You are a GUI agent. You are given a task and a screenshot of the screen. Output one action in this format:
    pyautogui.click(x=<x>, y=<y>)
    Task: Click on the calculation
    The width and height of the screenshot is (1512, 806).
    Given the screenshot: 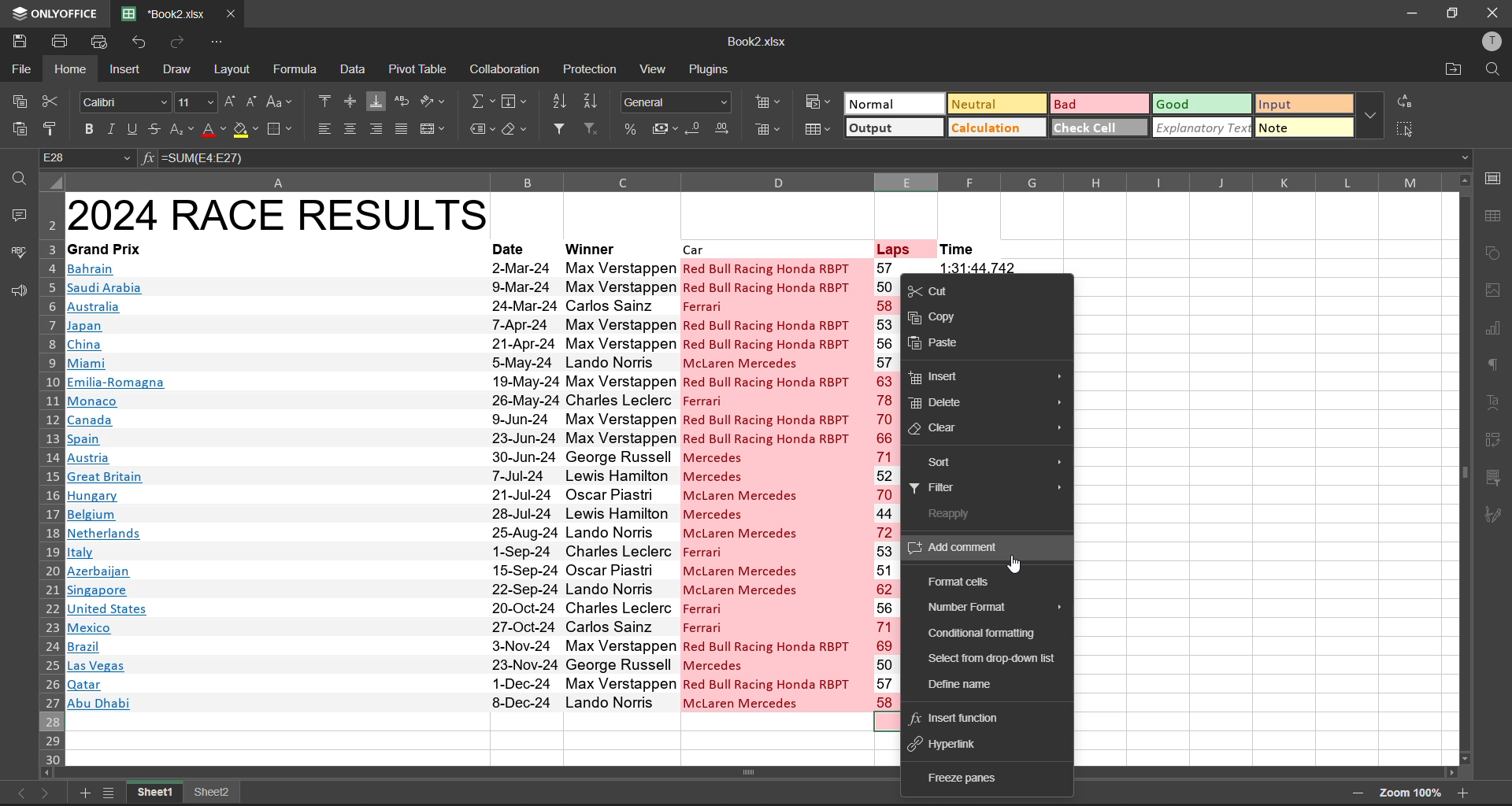 What is the action you would take?
    pyautogui.click(x=998, y=128)
    